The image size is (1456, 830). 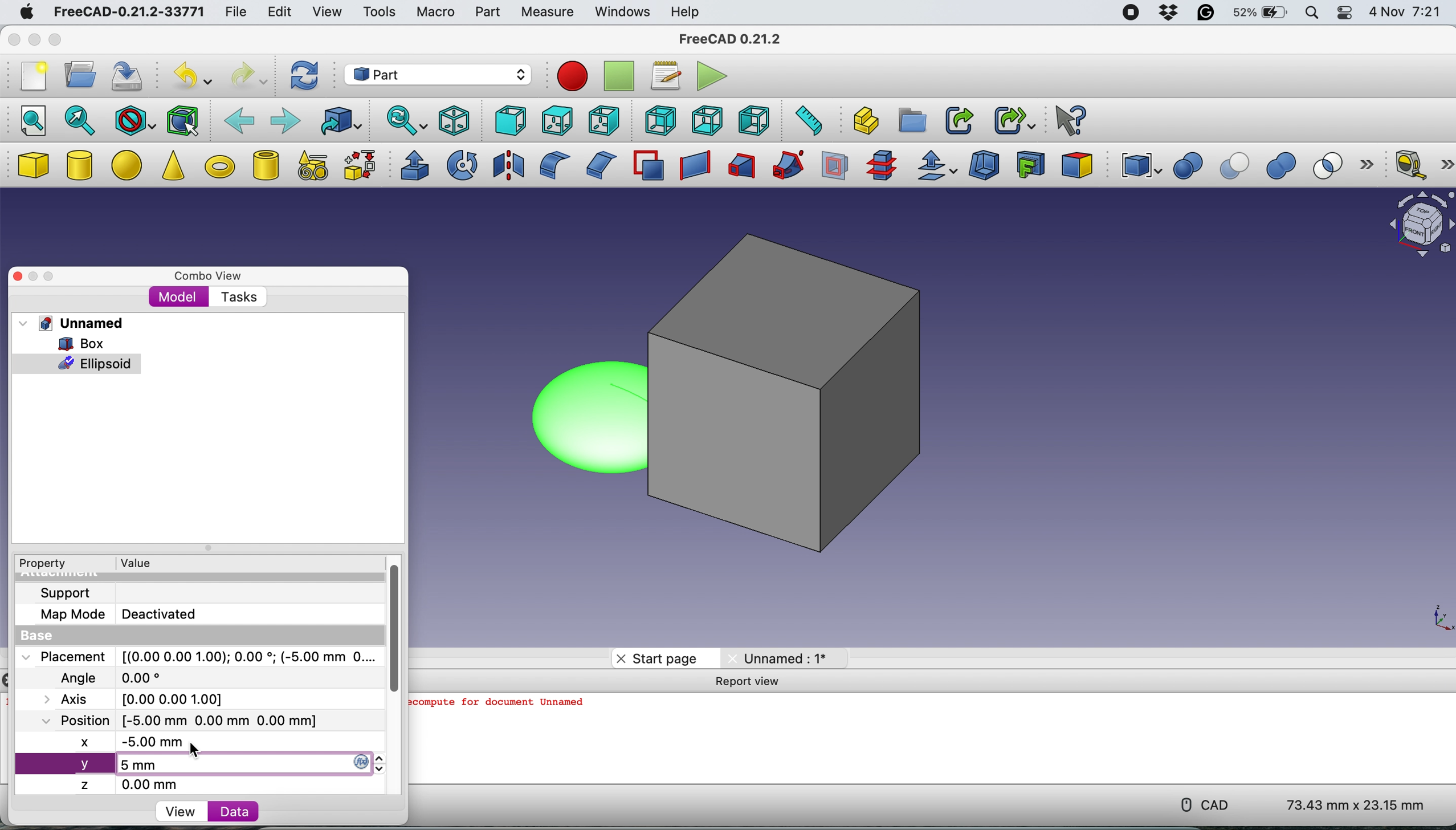 What do you see at coordinates (184, 811) in the screenshot?
I see `view` at bounding box center [184, 811].